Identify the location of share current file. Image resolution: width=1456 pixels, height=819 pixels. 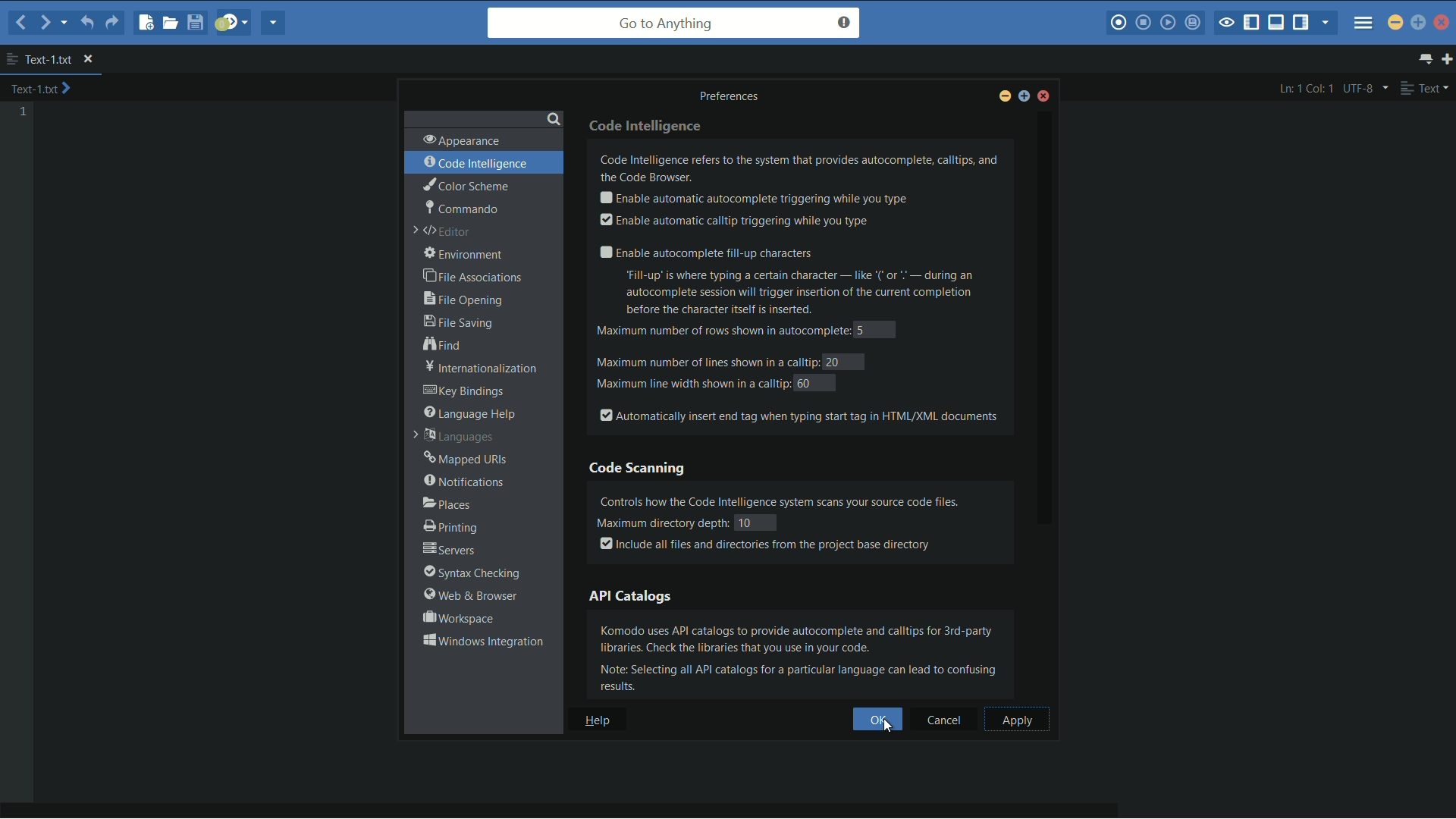
(275, 24).